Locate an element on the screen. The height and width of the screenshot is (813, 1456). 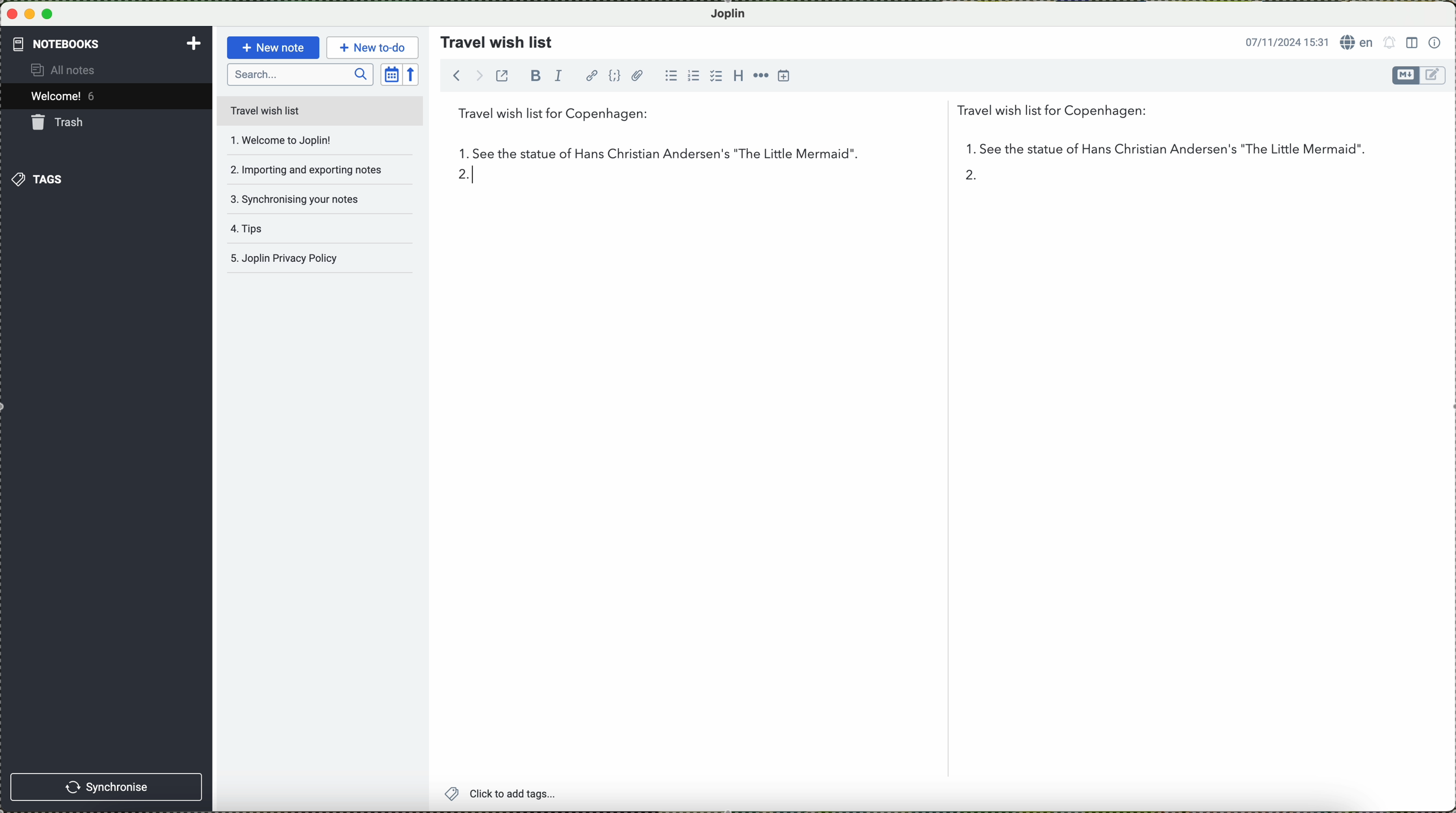
bulleted list is located at coordinates (674, 76).